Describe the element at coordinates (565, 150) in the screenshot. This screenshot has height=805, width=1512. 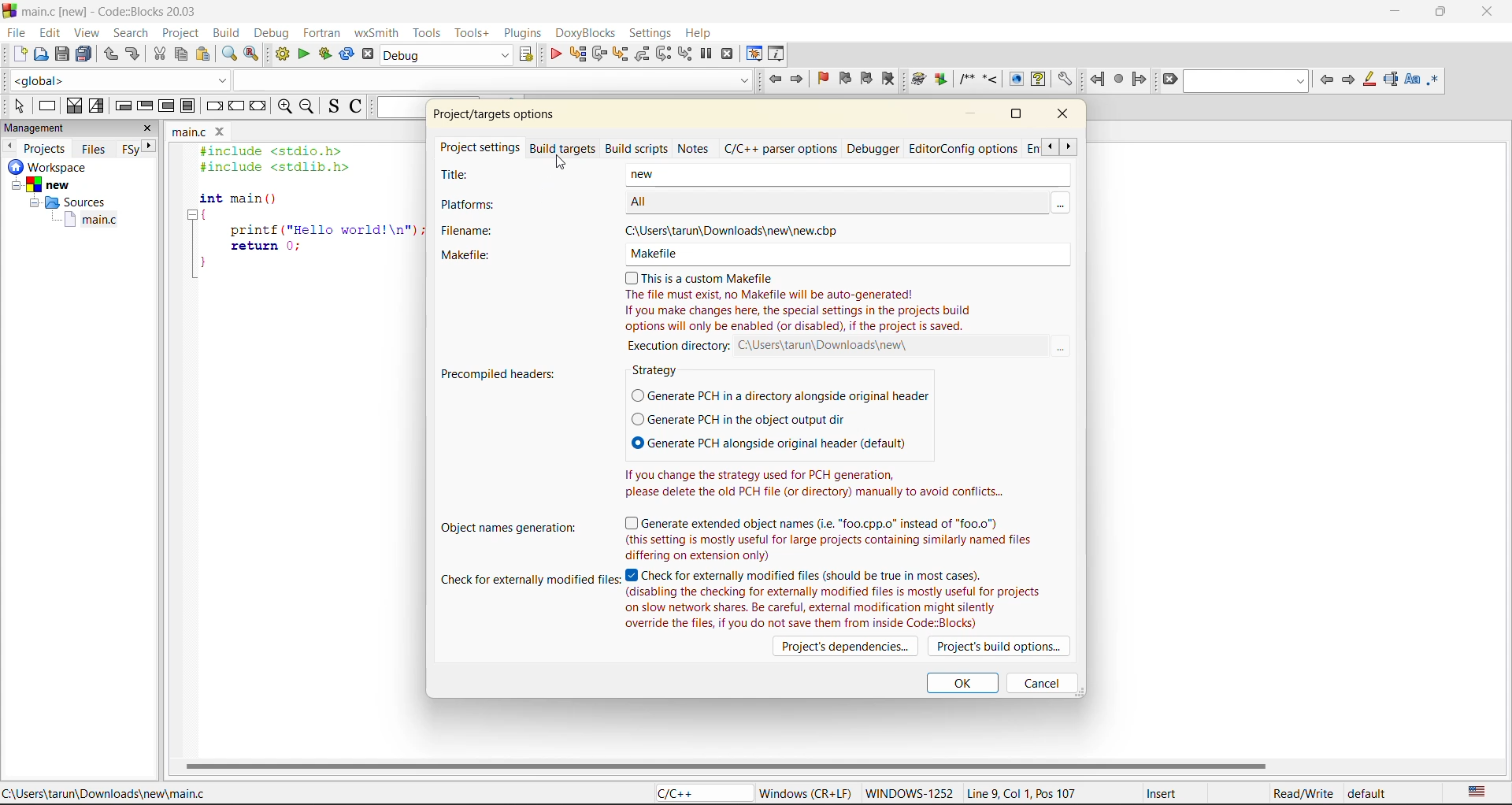
I see `build targets` at that location.